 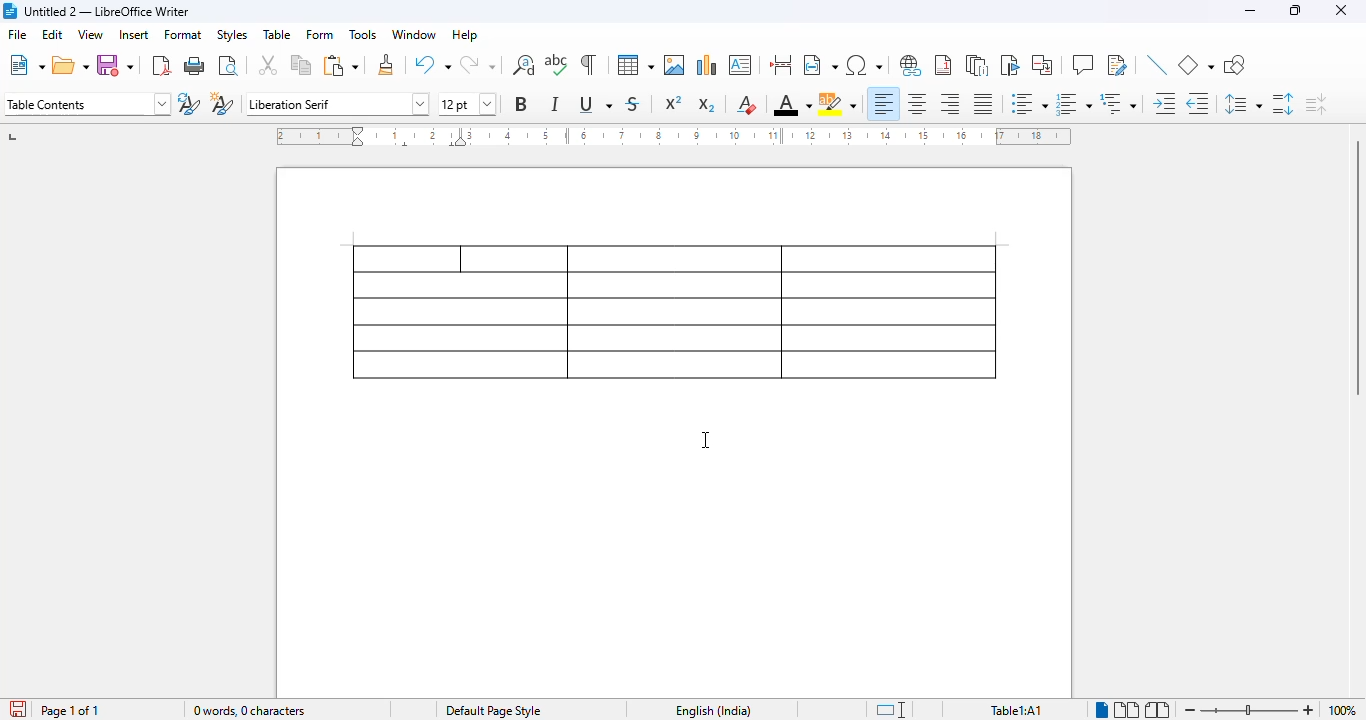 I want to click on file, so click(x=17, y=33).